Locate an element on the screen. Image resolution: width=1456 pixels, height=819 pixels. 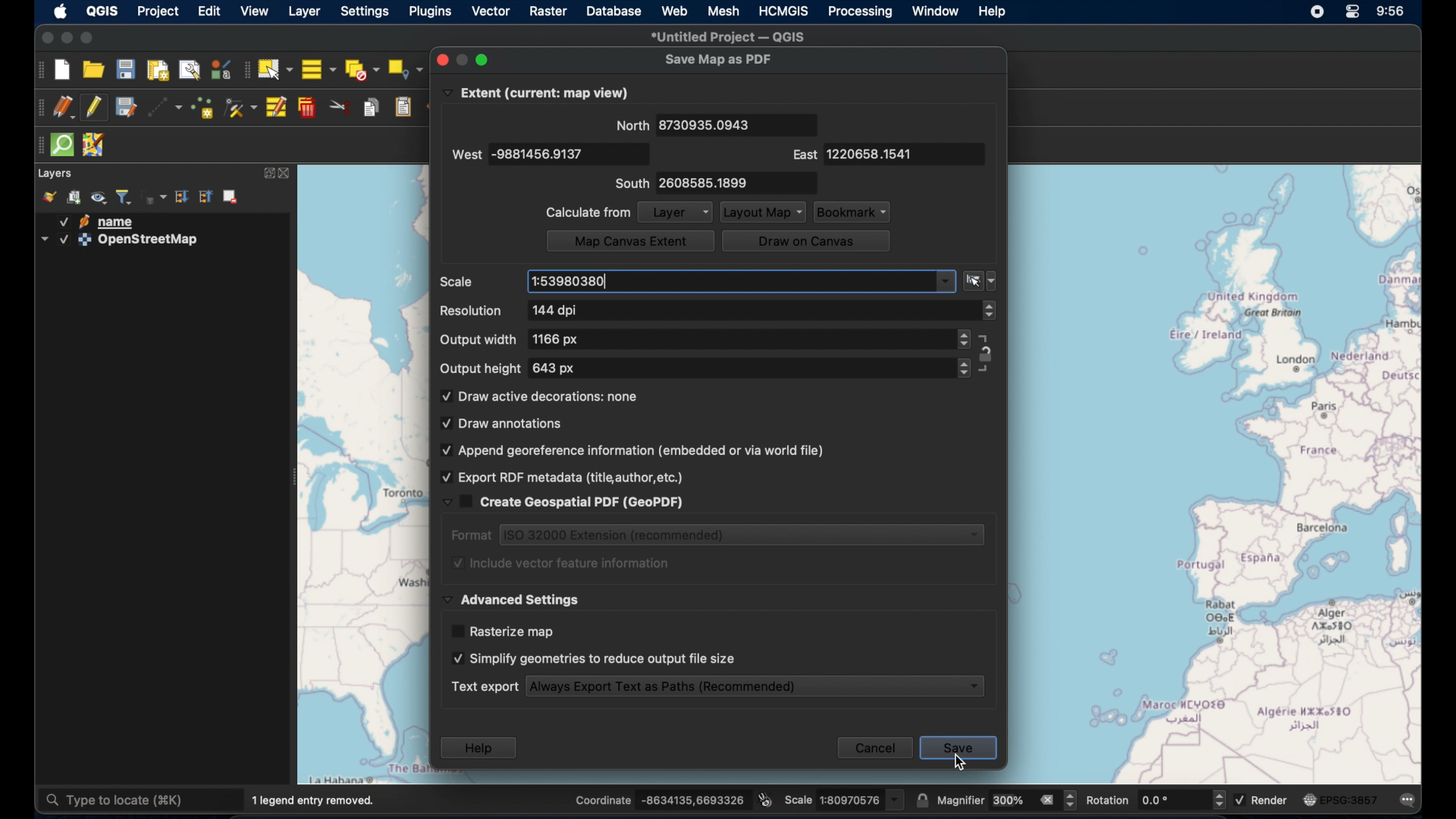
resolution is located at coordinates (470, 311).